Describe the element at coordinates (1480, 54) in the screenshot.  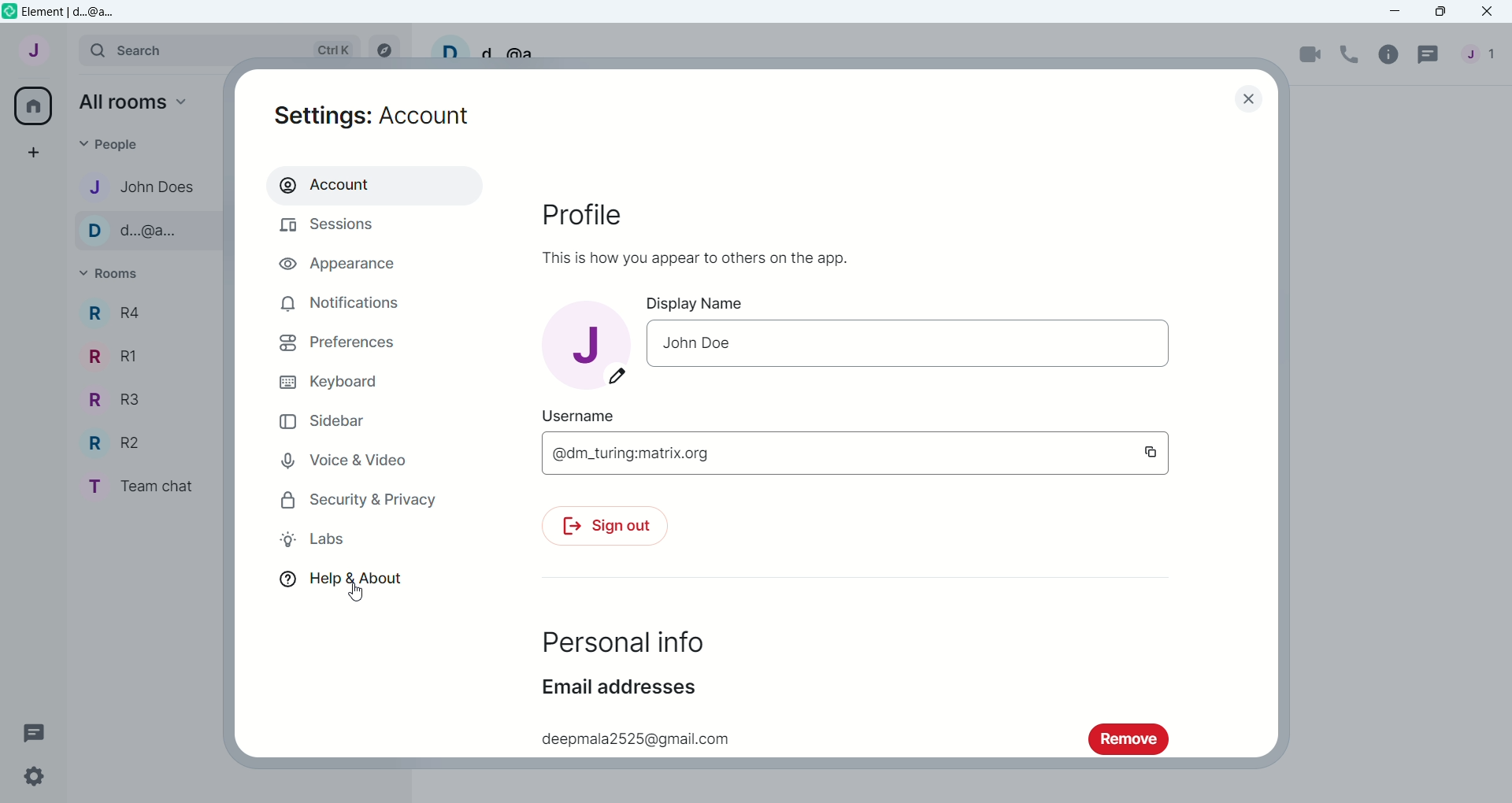
I see `People` at that location.